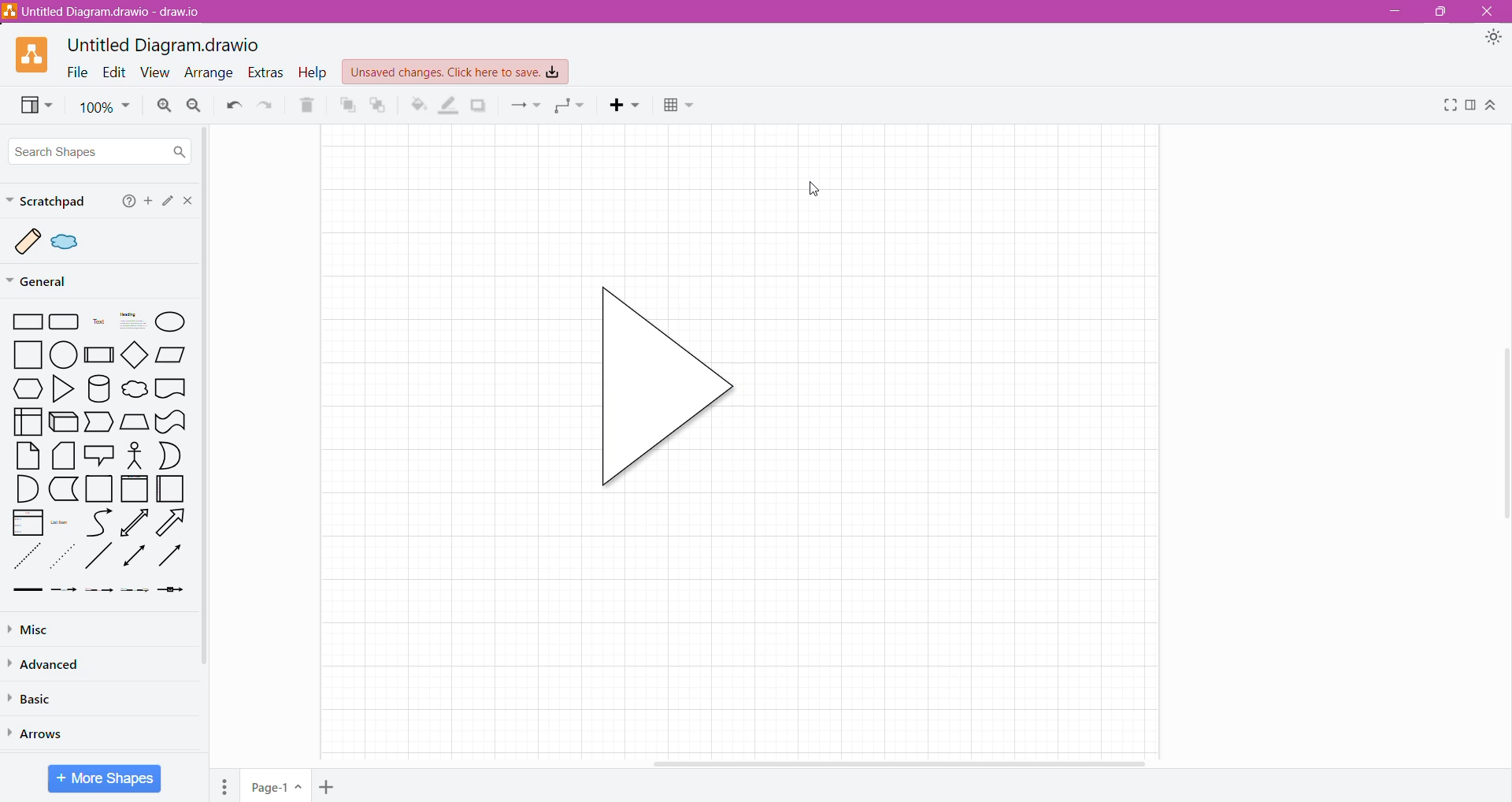 Image resolution: width=1512 pixels, height=802 pixels. Describe the element at coordinates (147, 201) in the screenshot. I see `Add` at that location.